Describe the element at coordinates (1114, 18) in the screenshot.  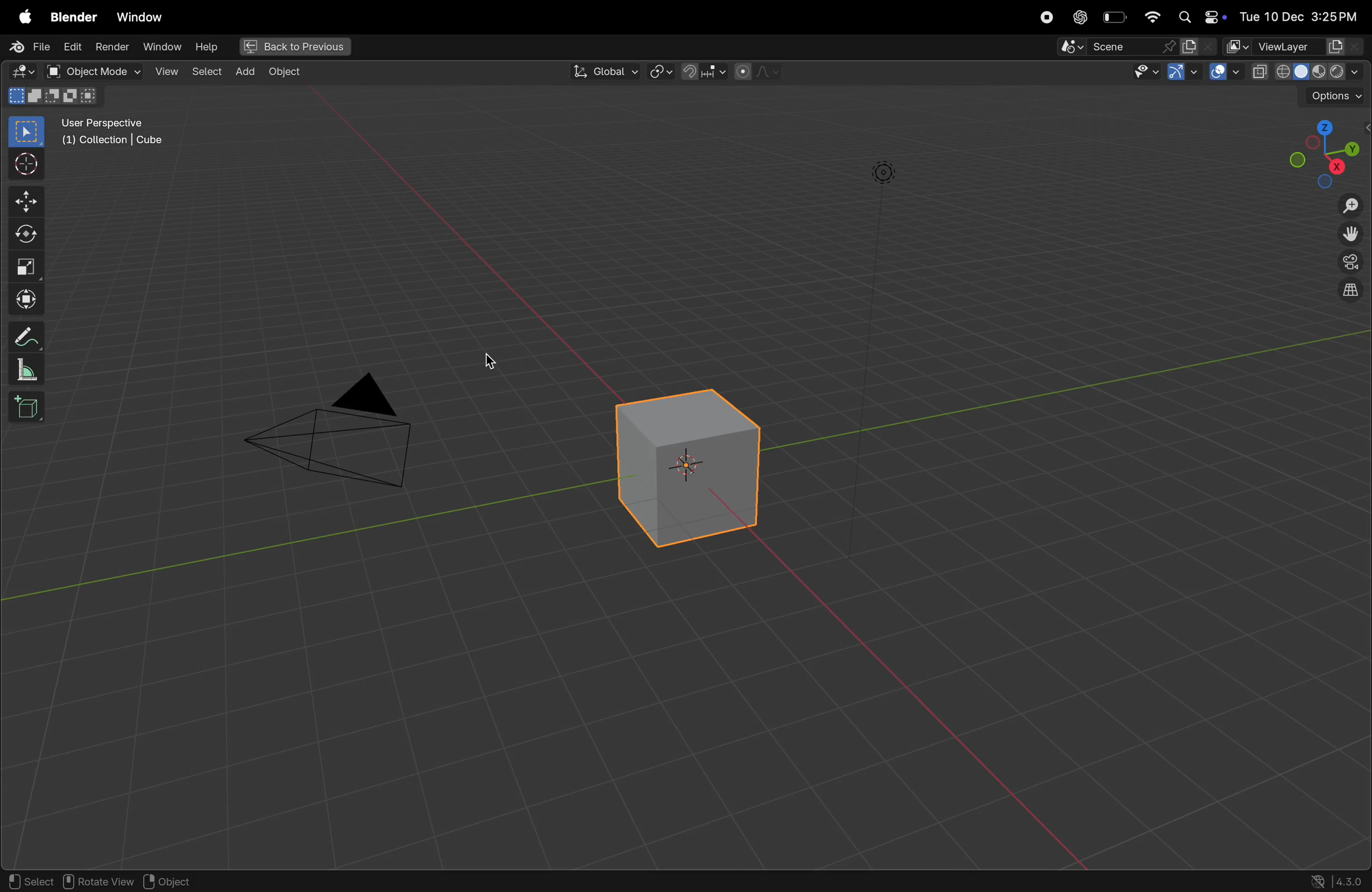
I see `battery` at that location.